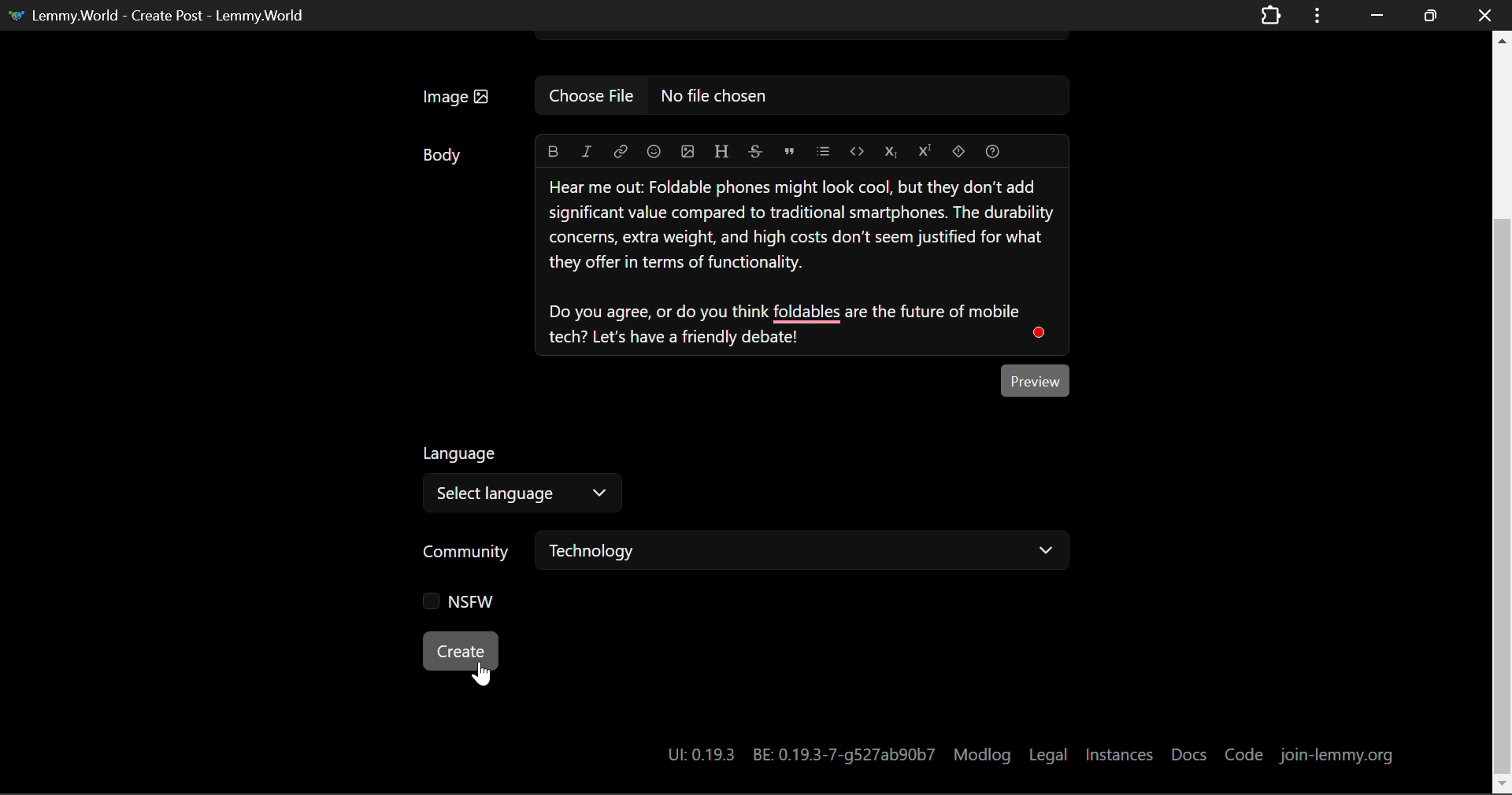 The width and height of the screenshot is (1512, 795). I want to click on bold, so click(552, 150).